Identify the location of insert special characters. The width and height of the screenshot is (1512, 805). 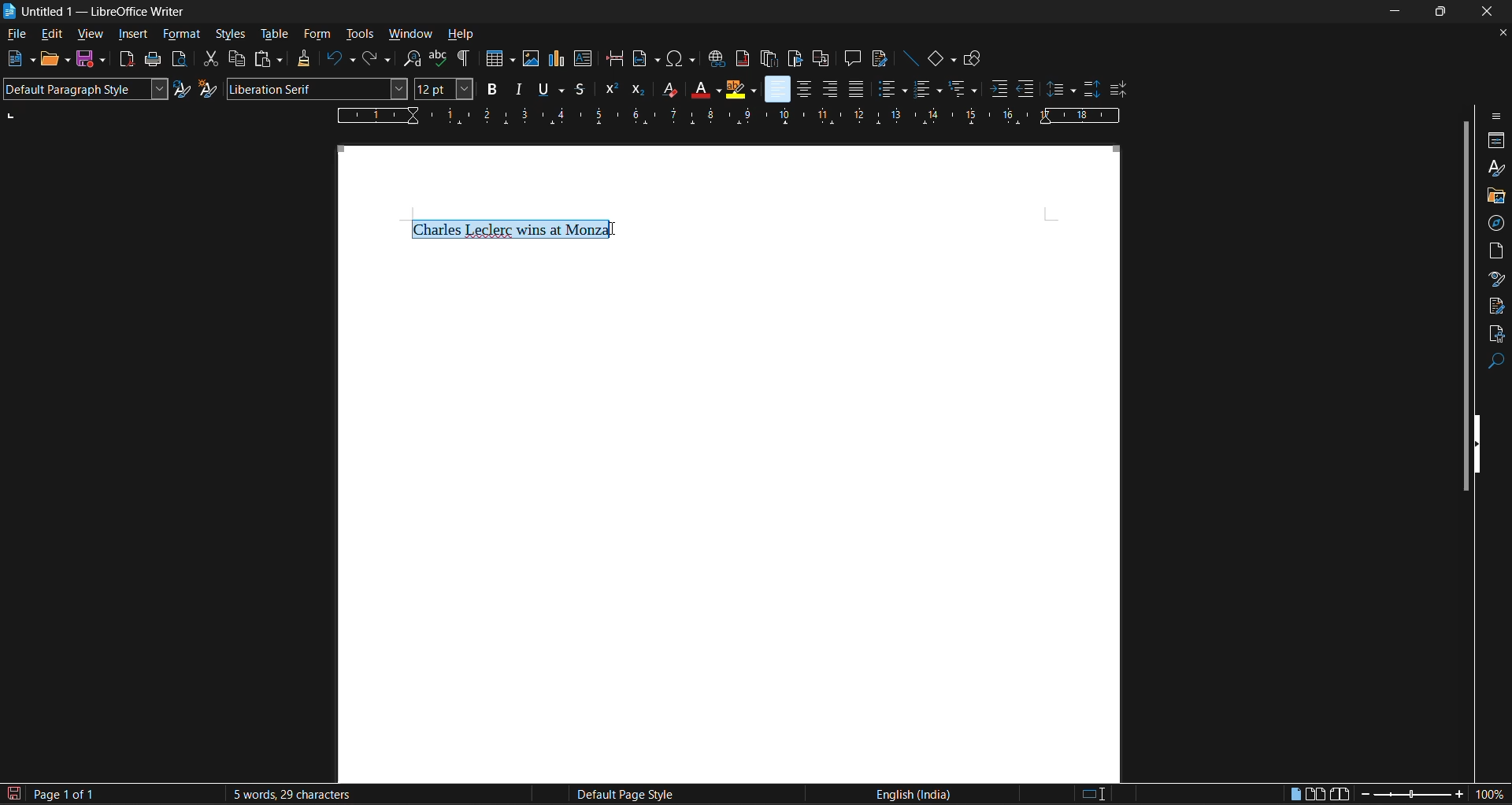
(682, 58).